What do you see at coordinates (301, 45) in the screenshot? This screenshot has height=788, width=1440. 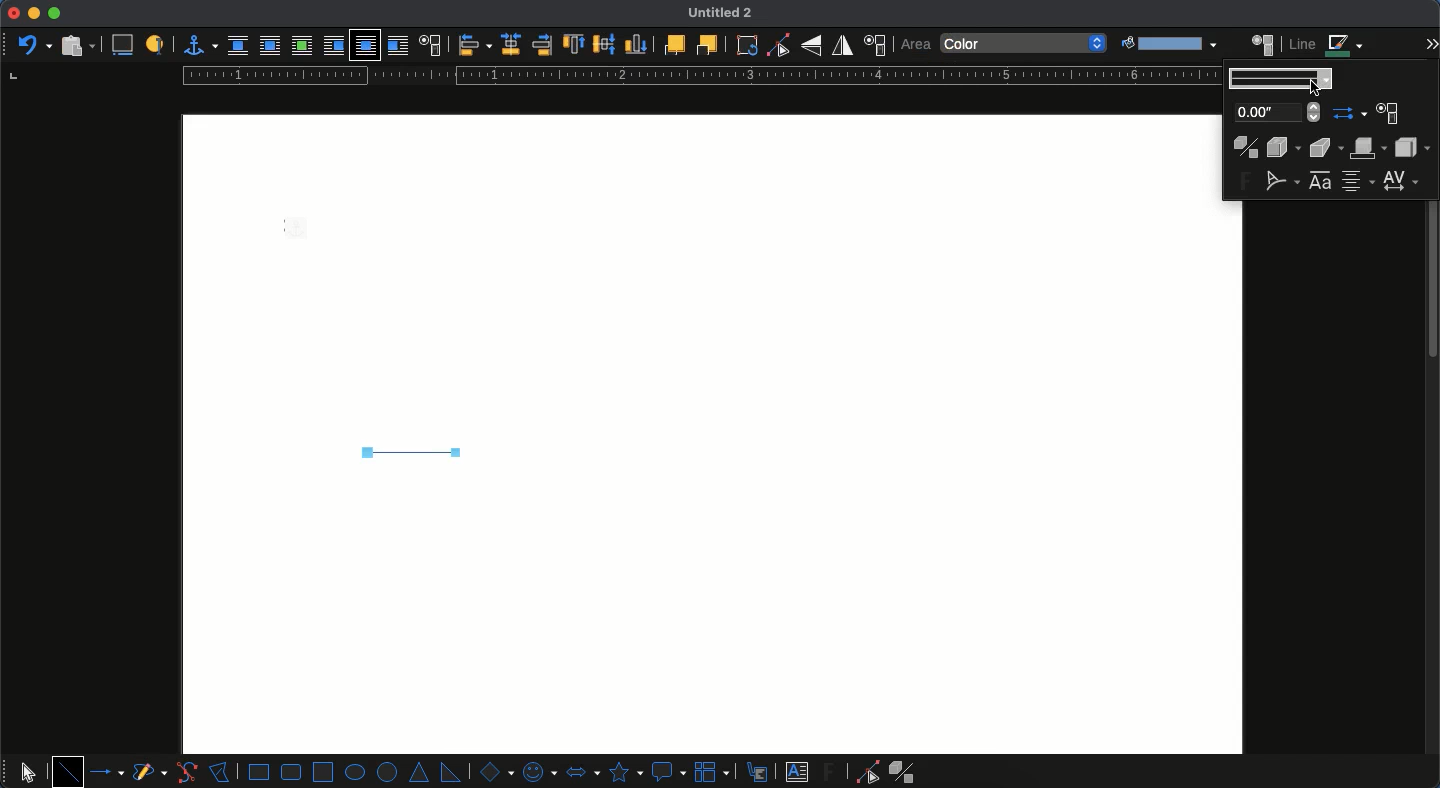 I see `optimal` at bounding box center [301, 45].